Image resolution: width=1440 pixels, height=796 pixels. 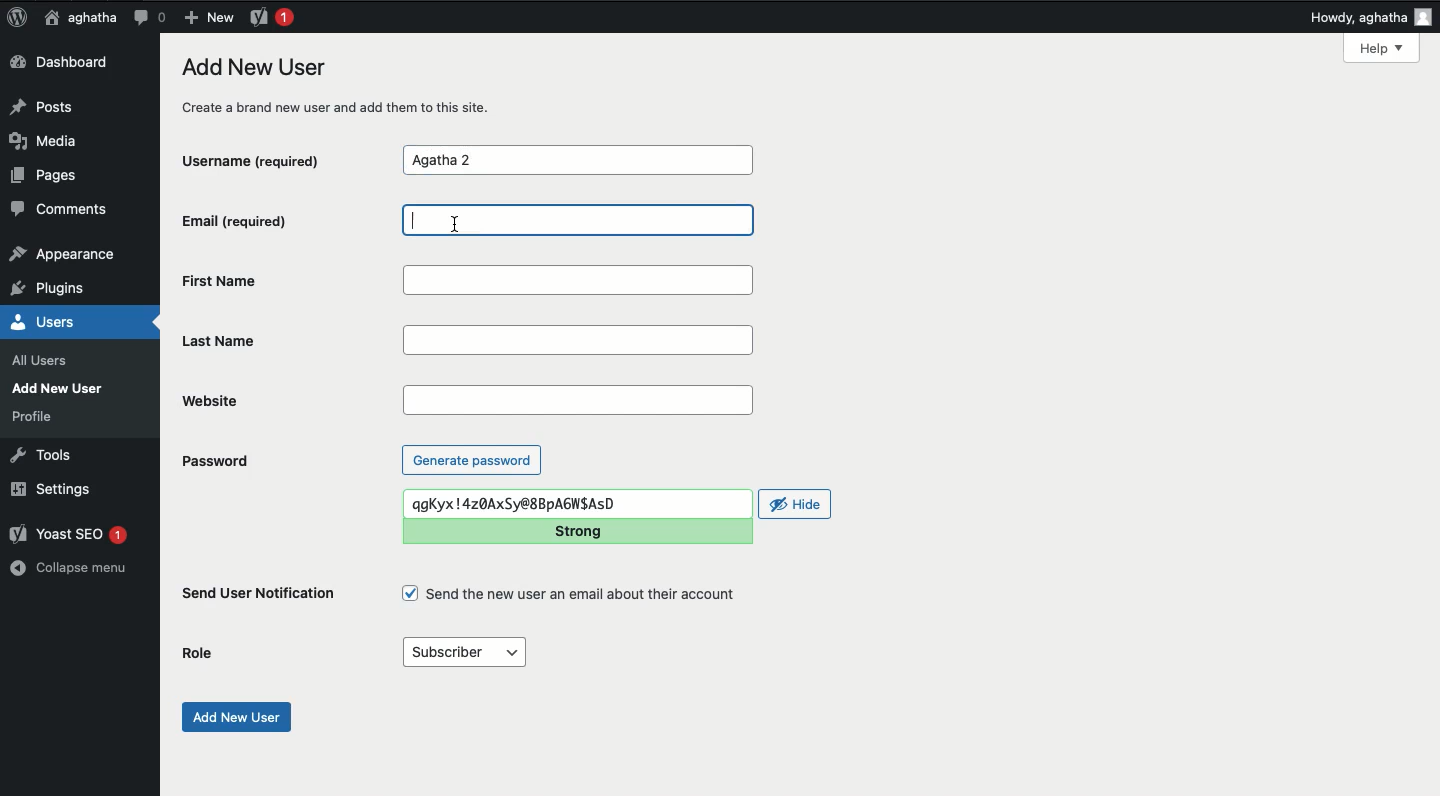 I want to click on Email (required), so click(x=269, y=220).